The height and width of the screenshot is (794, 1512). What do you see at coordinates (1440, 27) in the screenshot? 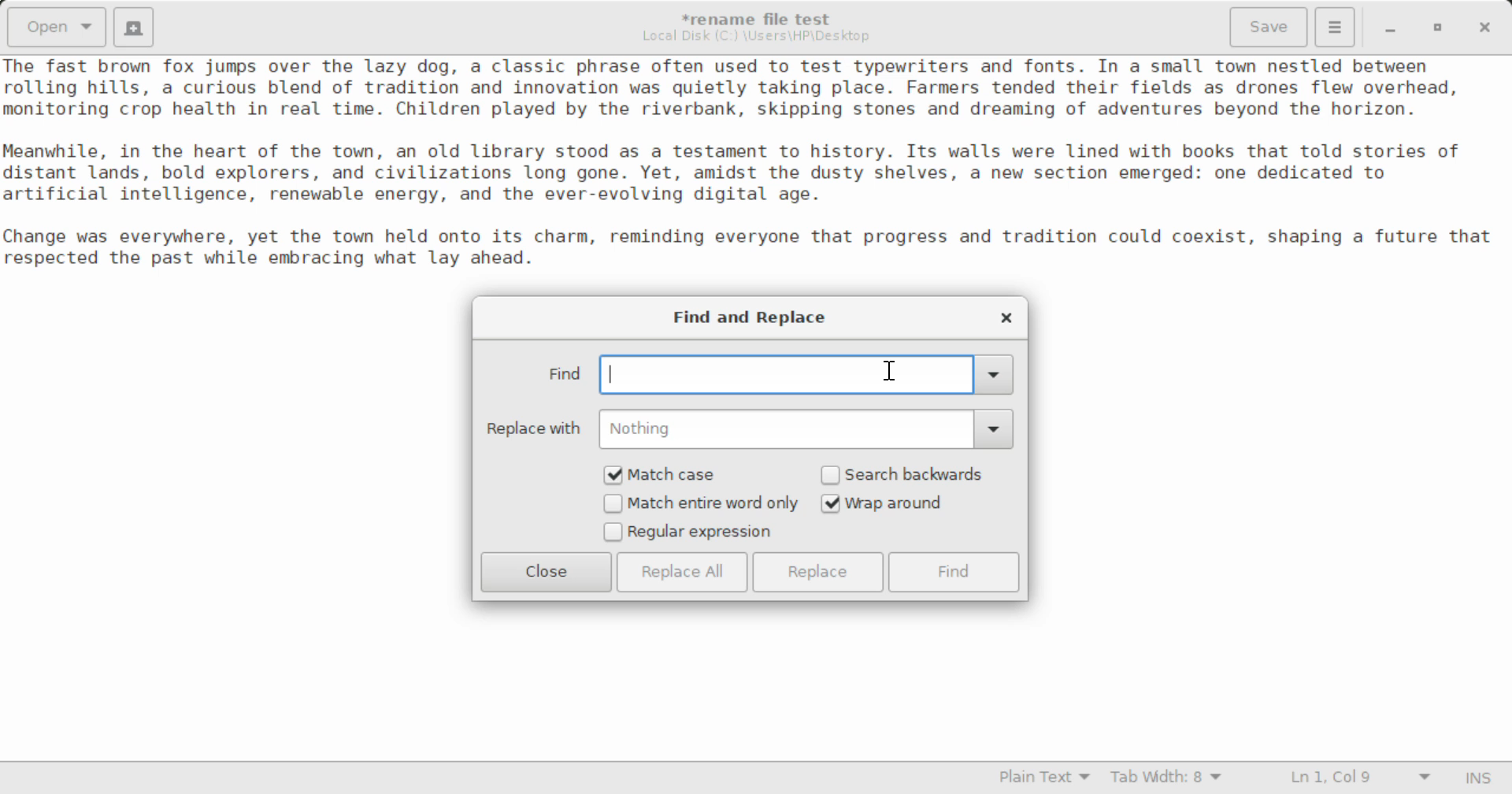
I see `Minimize` at bounding box center [1440, 27].